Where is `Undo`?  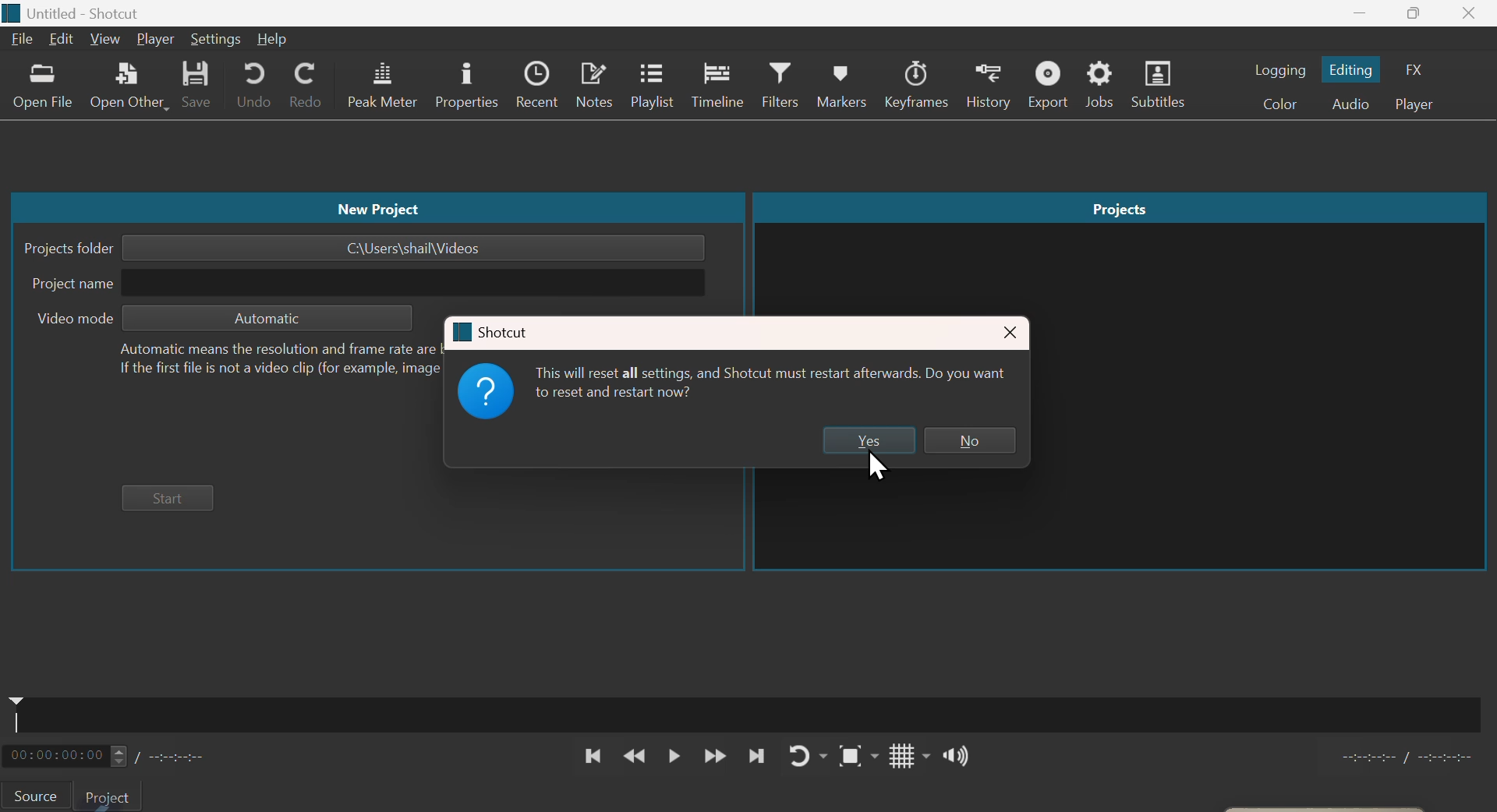 Undo is located at coordinates (255, 88).